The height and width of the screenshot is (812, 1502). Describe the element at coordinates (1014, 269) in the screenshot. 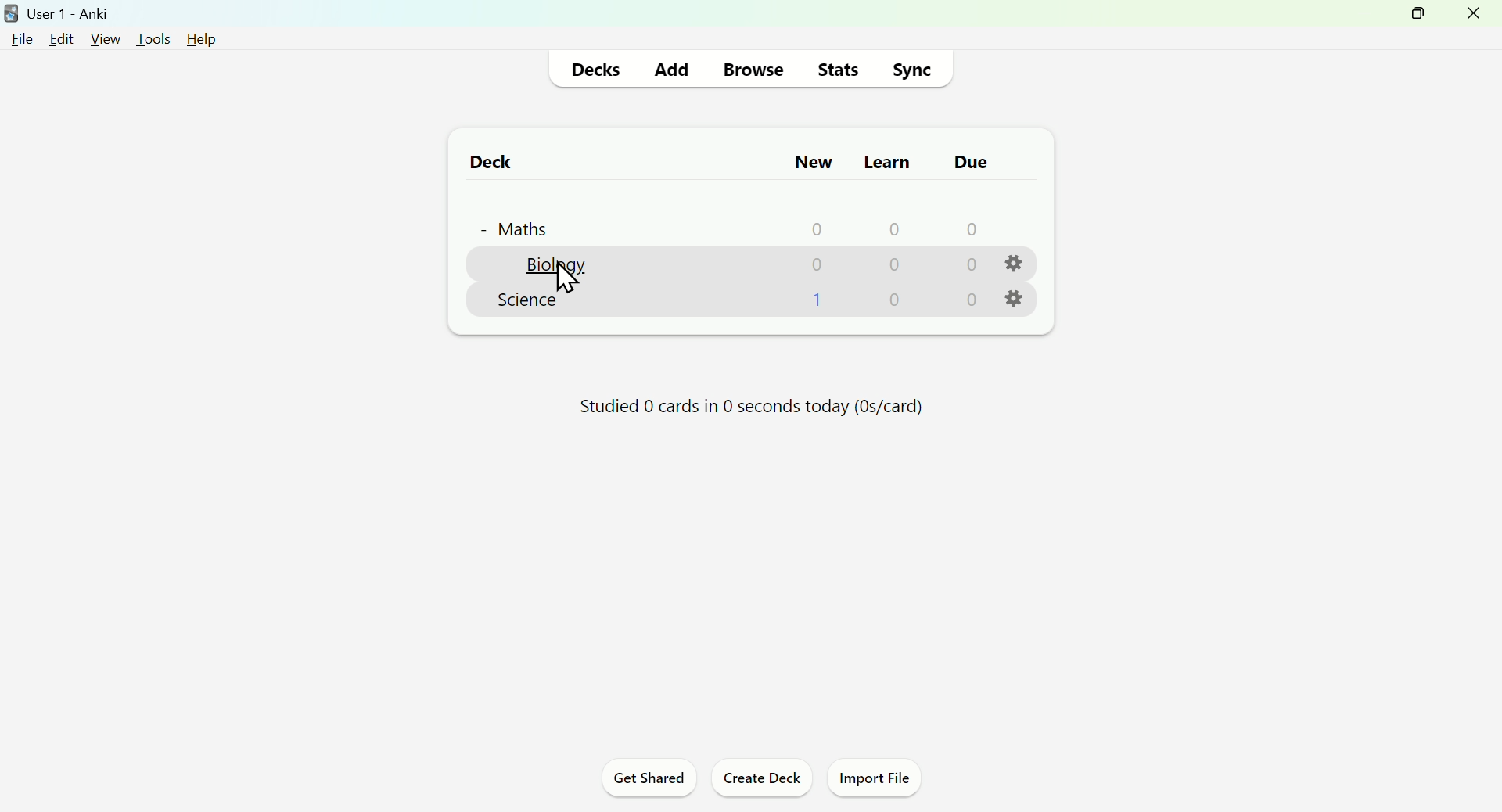

I see `settings` at that location.